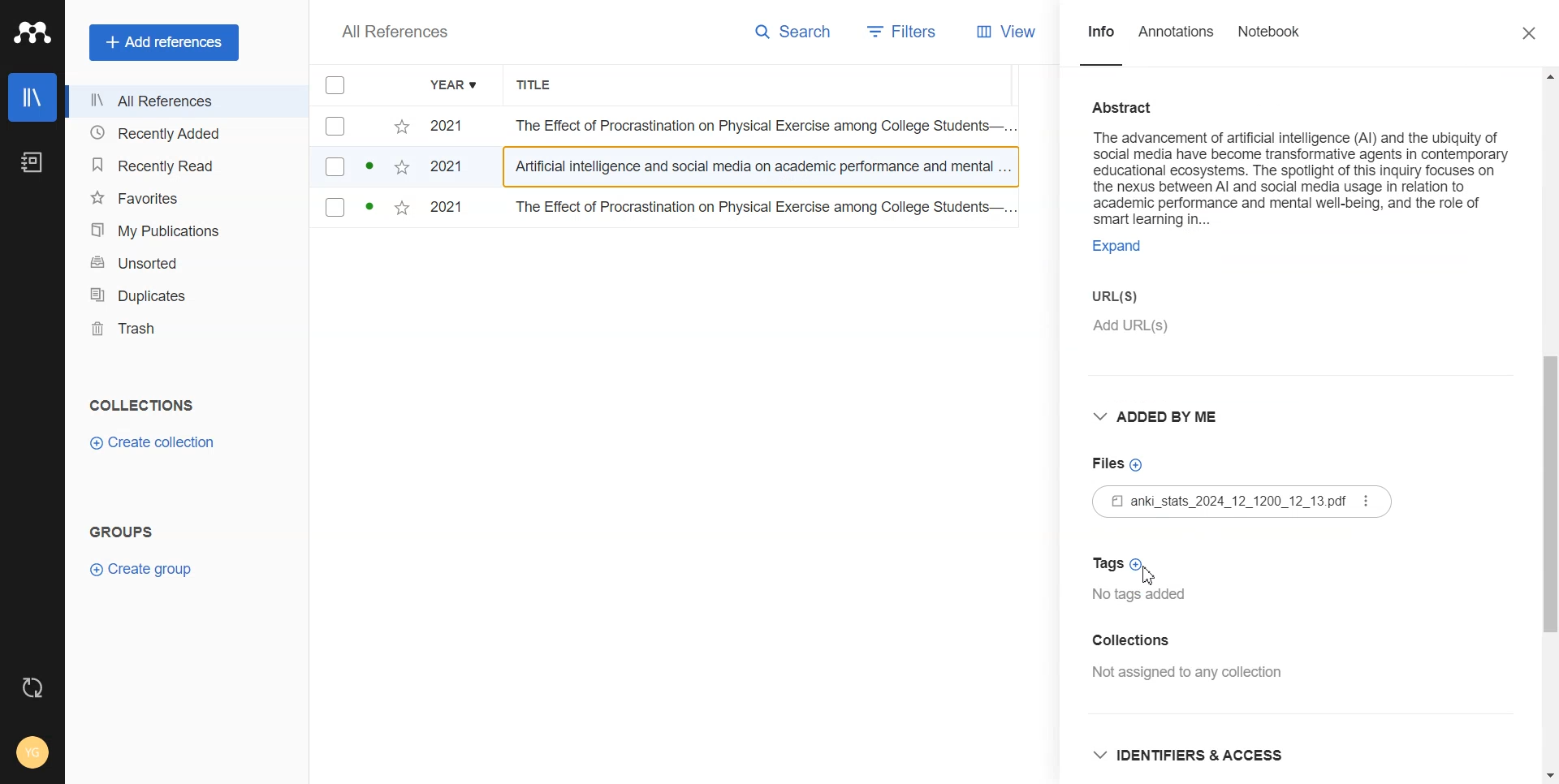 This screenshot has height=784, width=1559. I want to click on Account, so click(32, 752).